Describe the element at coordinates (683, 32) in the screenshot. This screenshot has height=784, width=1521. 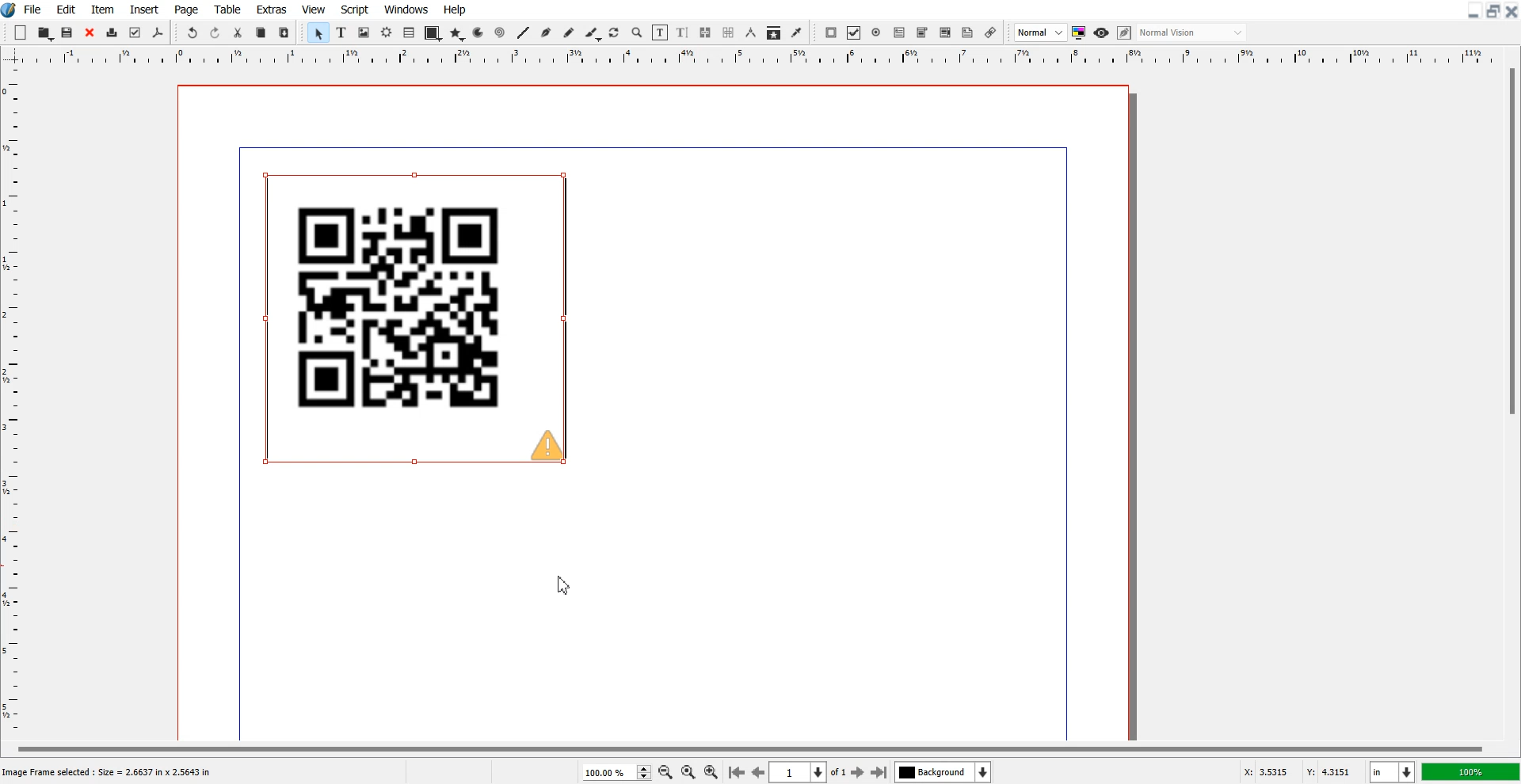
I see `Edit Text` at that location.